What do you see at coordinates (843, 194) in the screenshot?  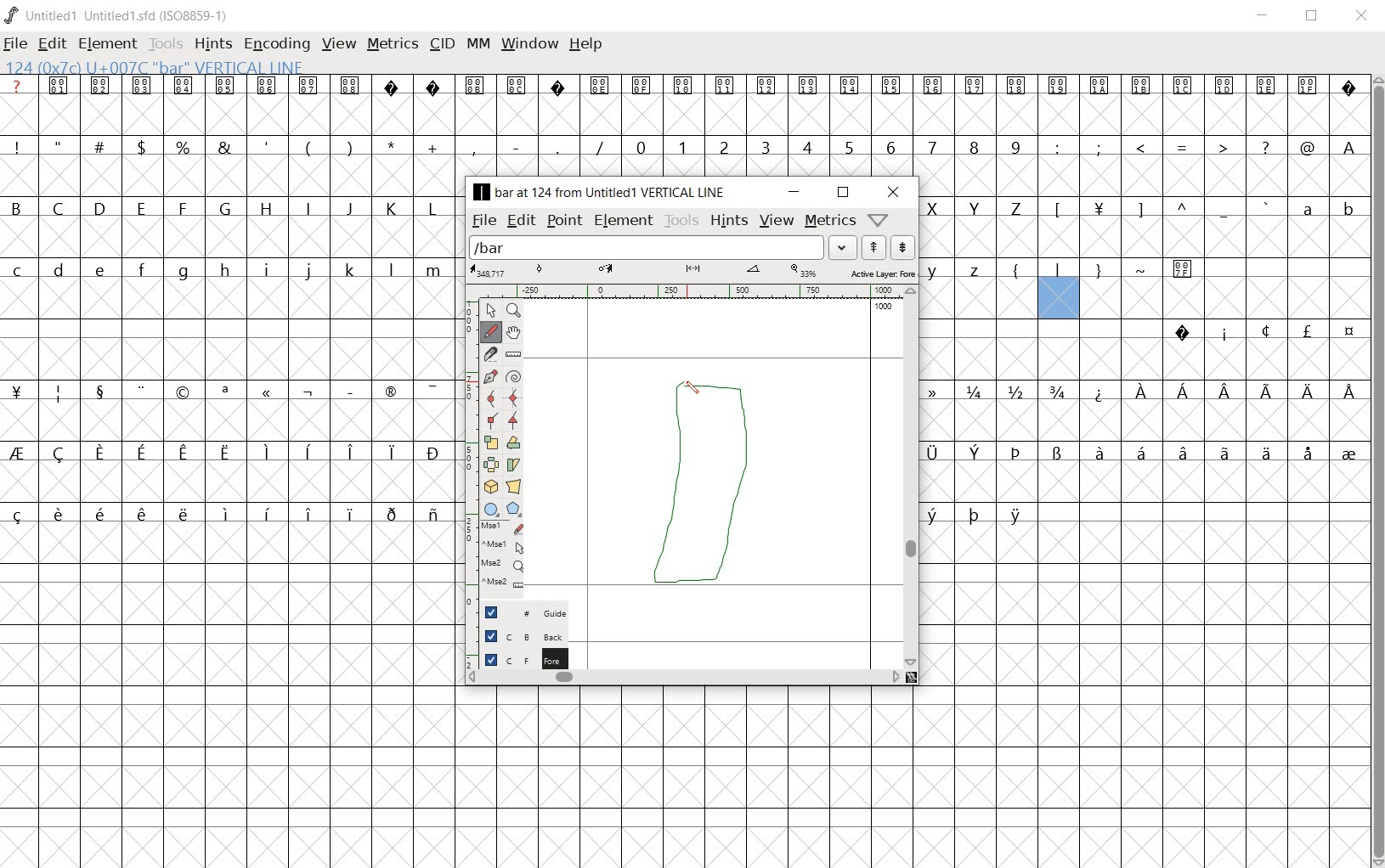 I see `restore down` at bounding box center [843, 194].